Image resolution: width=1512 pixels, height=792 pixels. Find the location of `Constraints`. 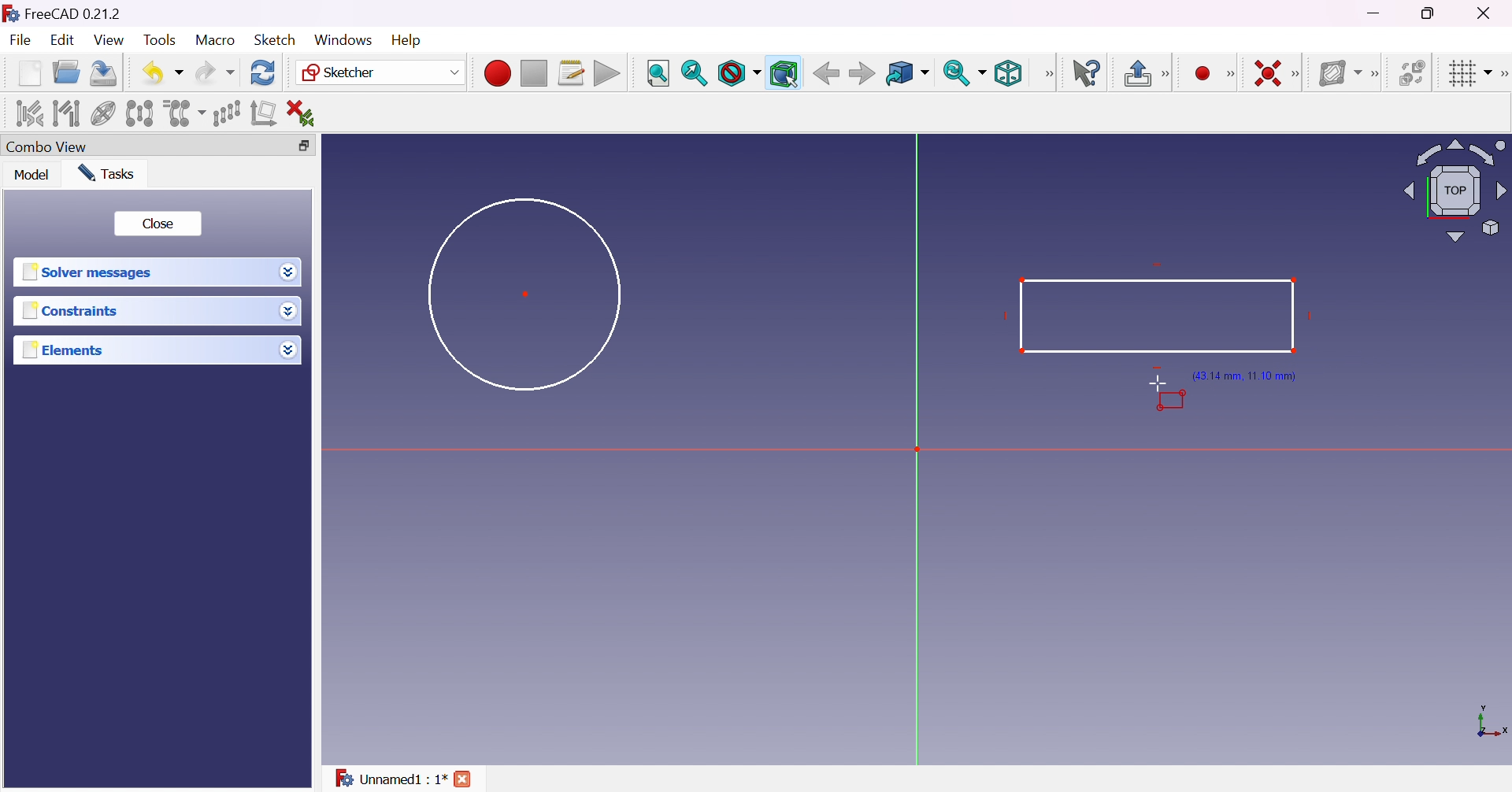

Constraints is located at coordinates (71, 312).